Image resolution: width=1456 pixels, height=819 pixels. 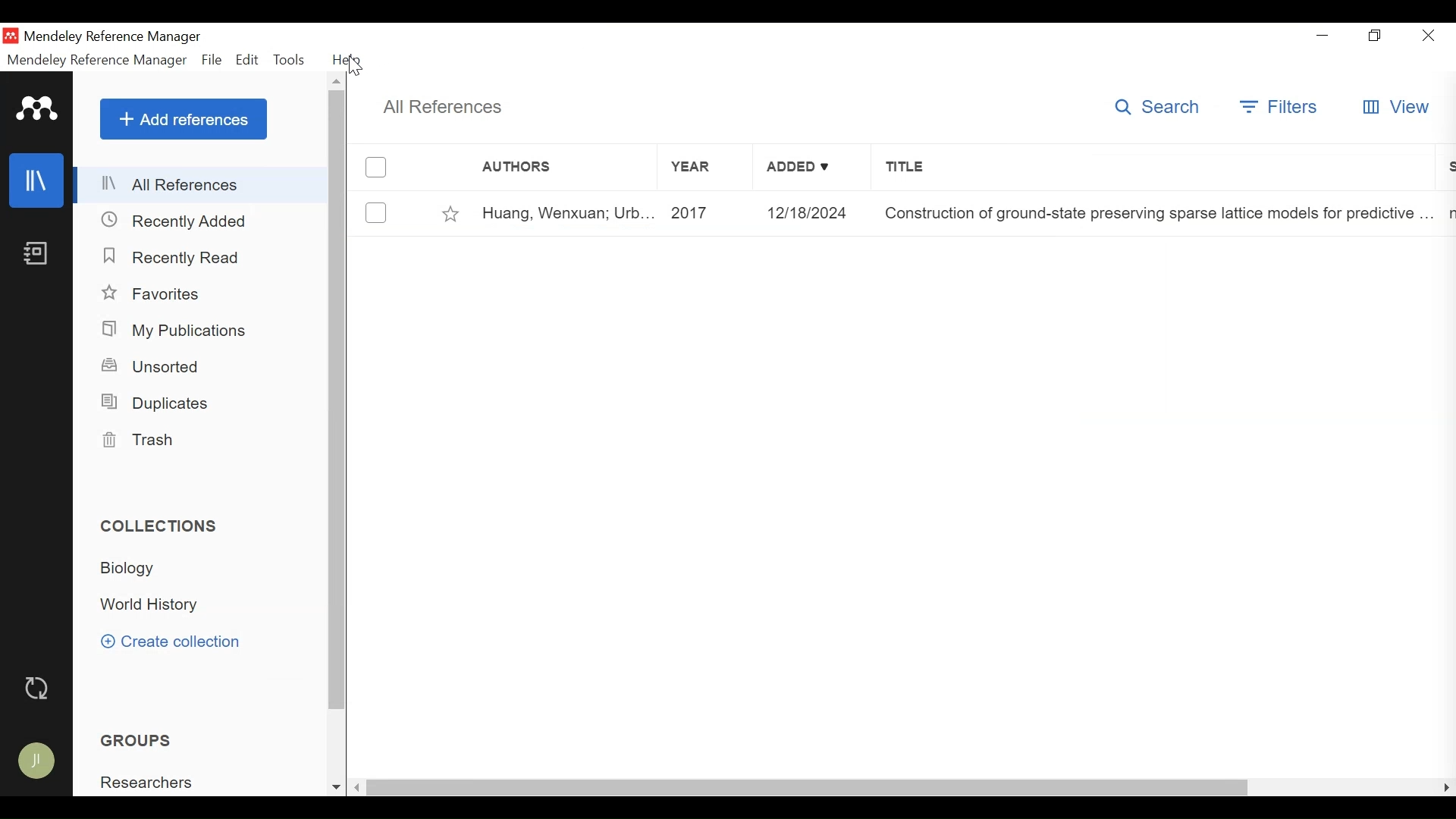 What do you see at coordinates (37, 259) in the screenshot?
I see `Notebook` at bounding box center [37, 259].